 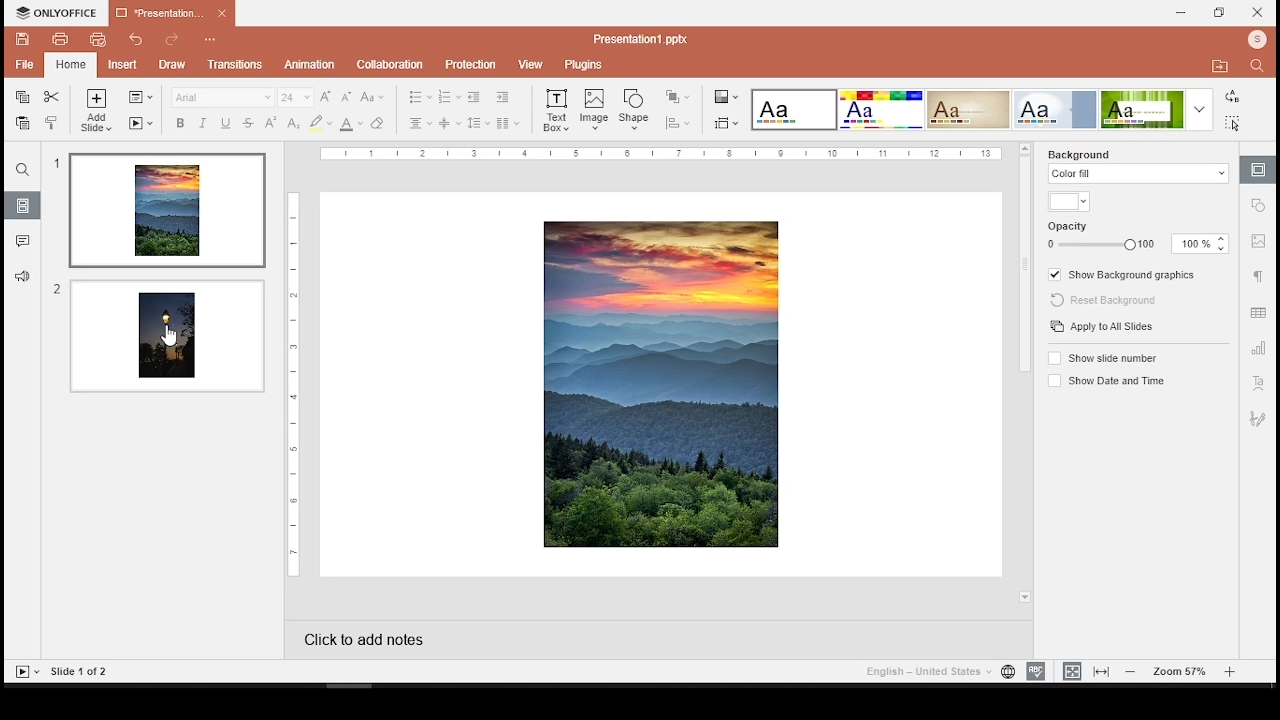 I want to click on english - united states, so click(x=925, y=674).